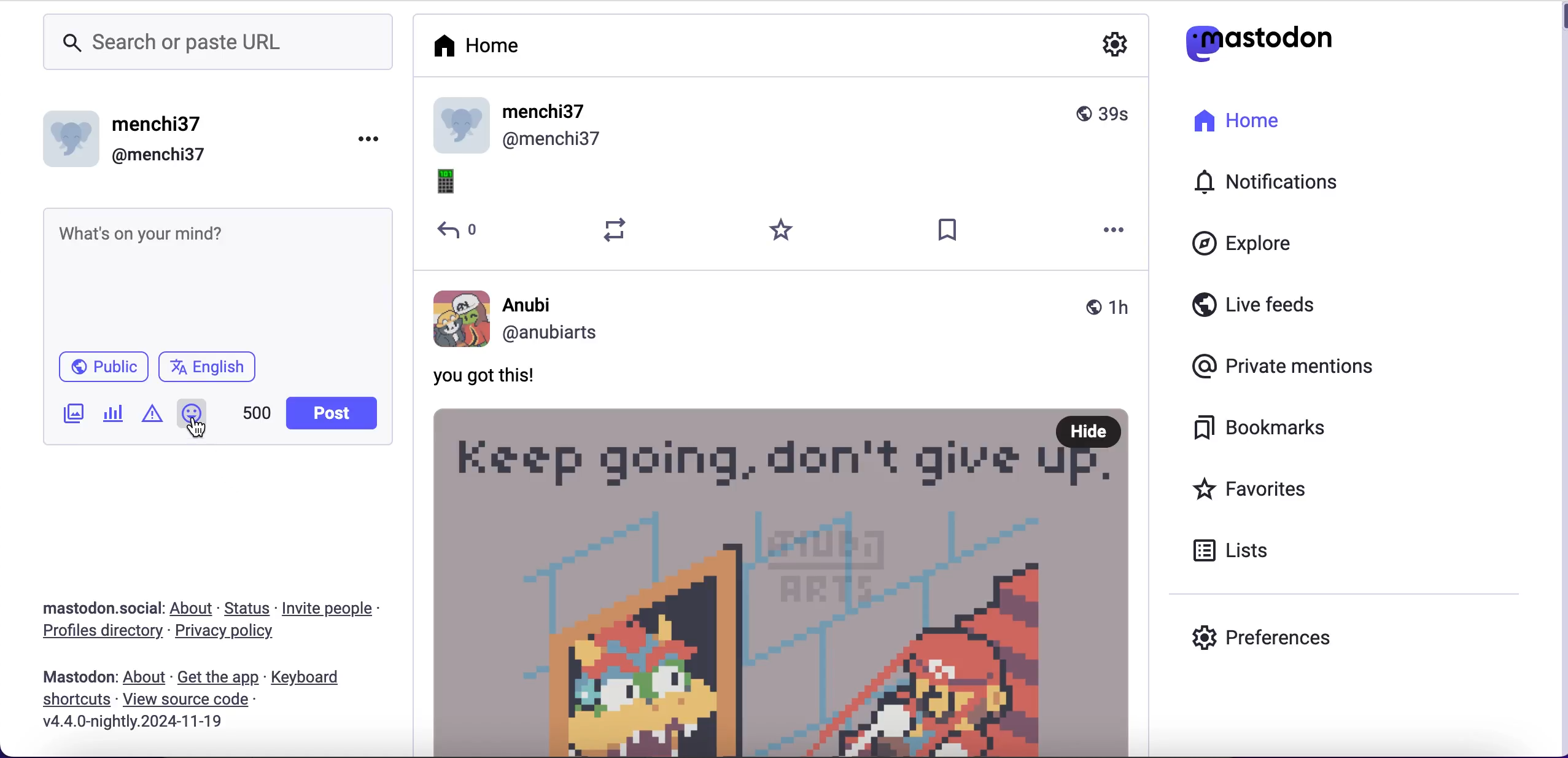 This screenshot has height=758, width=1568. I want to click on bookmarks, so click(1264, 430).